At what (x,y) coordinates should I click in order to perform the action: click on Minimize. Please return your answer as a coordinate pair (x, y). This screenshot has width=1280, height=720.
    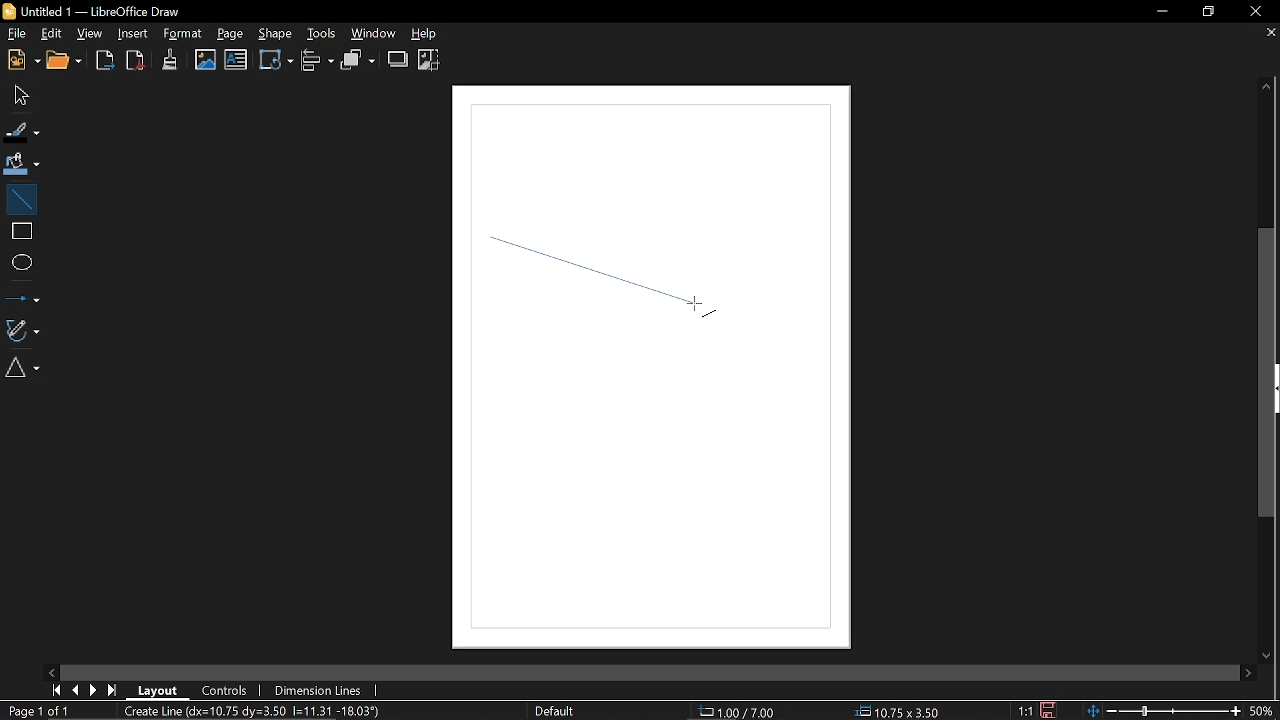
    Looking at the image, I should click on (1161, 12).